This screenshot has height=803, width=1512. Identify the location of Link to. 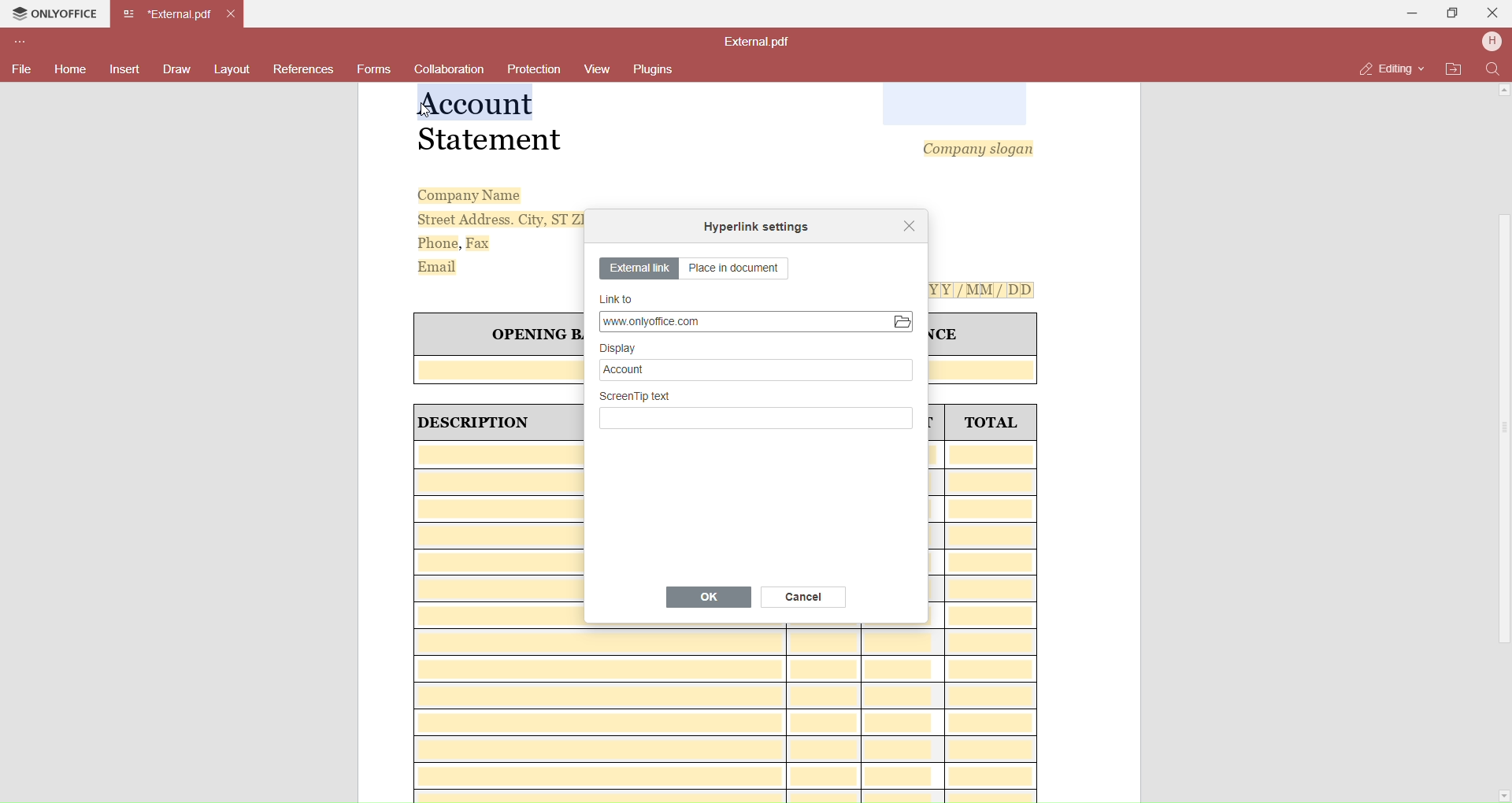
(615, 298).